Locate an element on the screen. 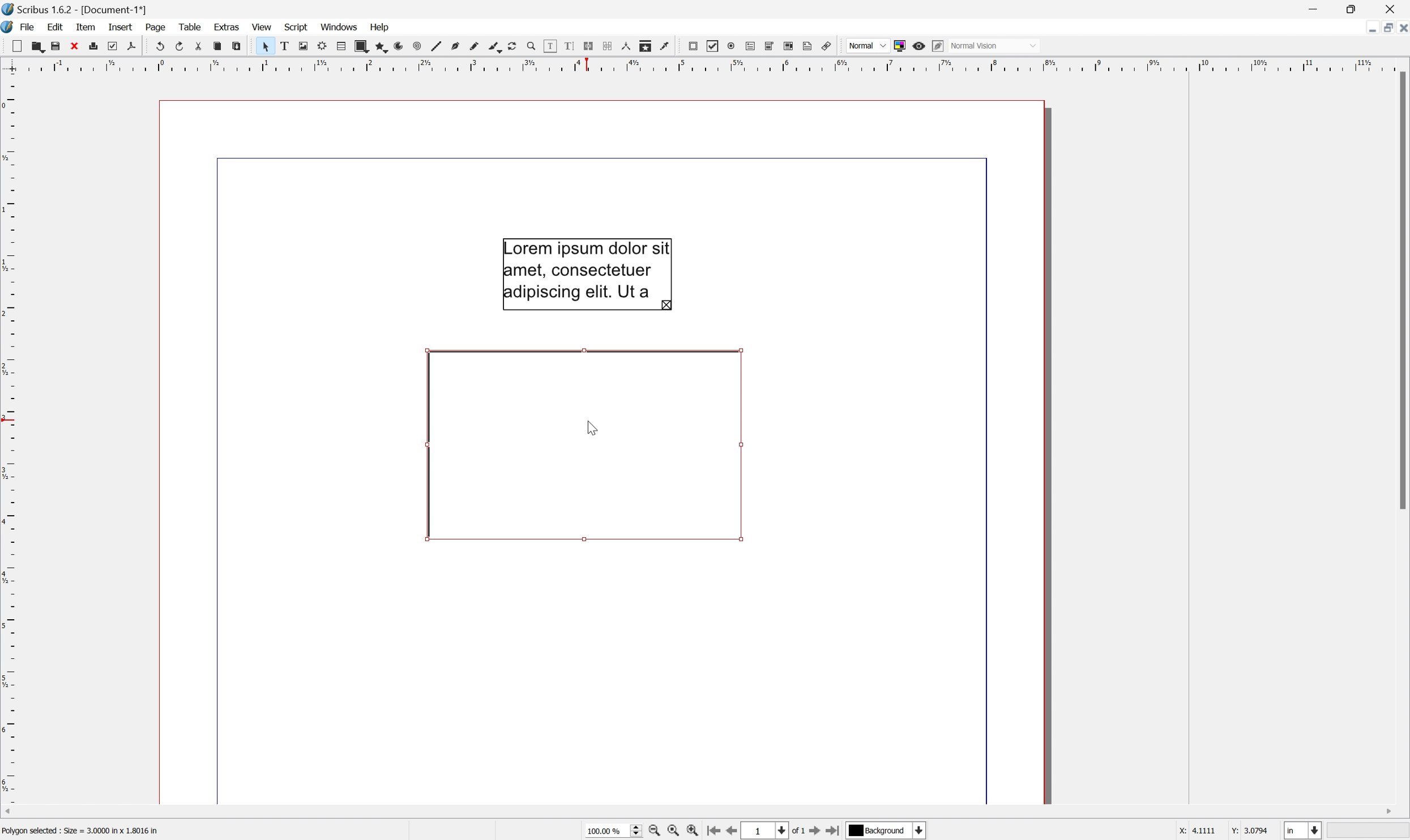 The height and width of the screenshot is (840, 1410). Go to the first page is located at coordinates (715, 832).